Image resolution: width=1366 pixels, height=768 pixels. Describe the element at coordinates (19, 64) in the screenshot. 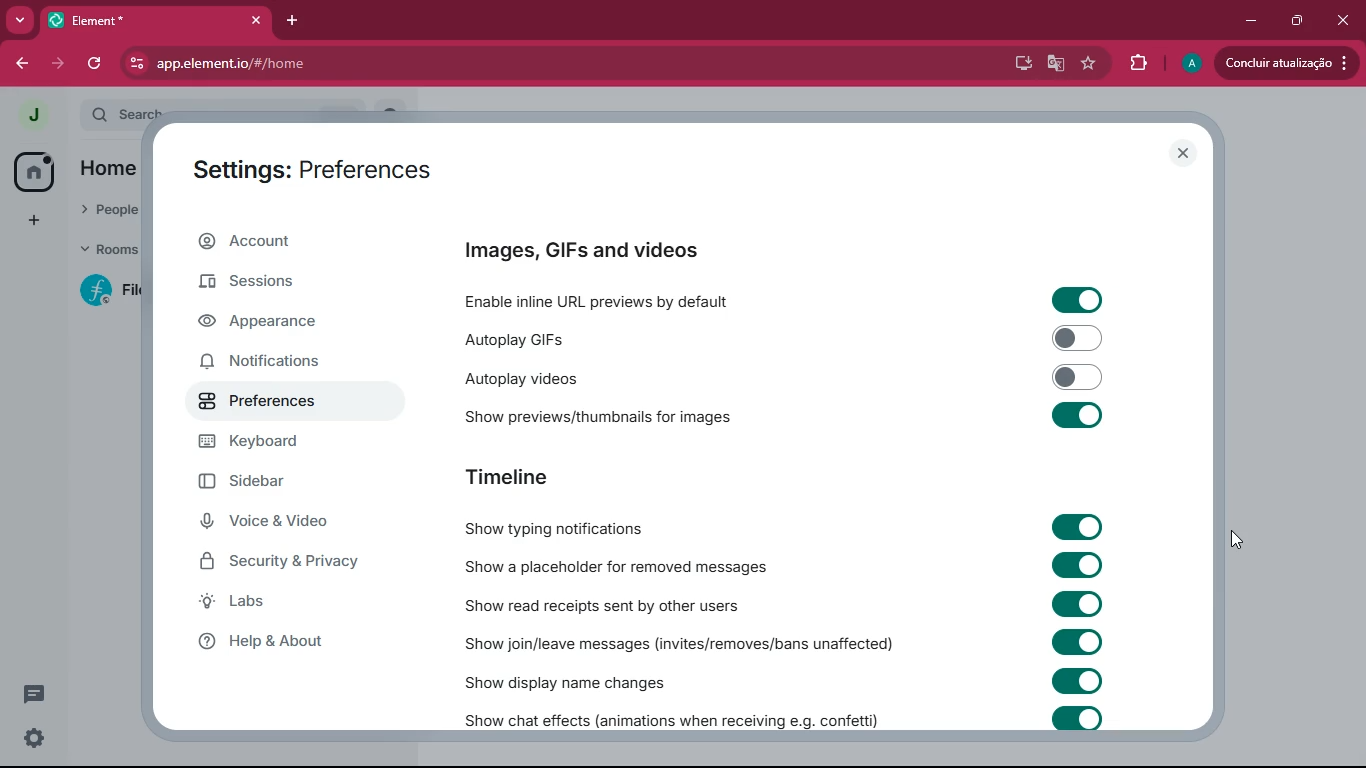

I see `back` at that location.